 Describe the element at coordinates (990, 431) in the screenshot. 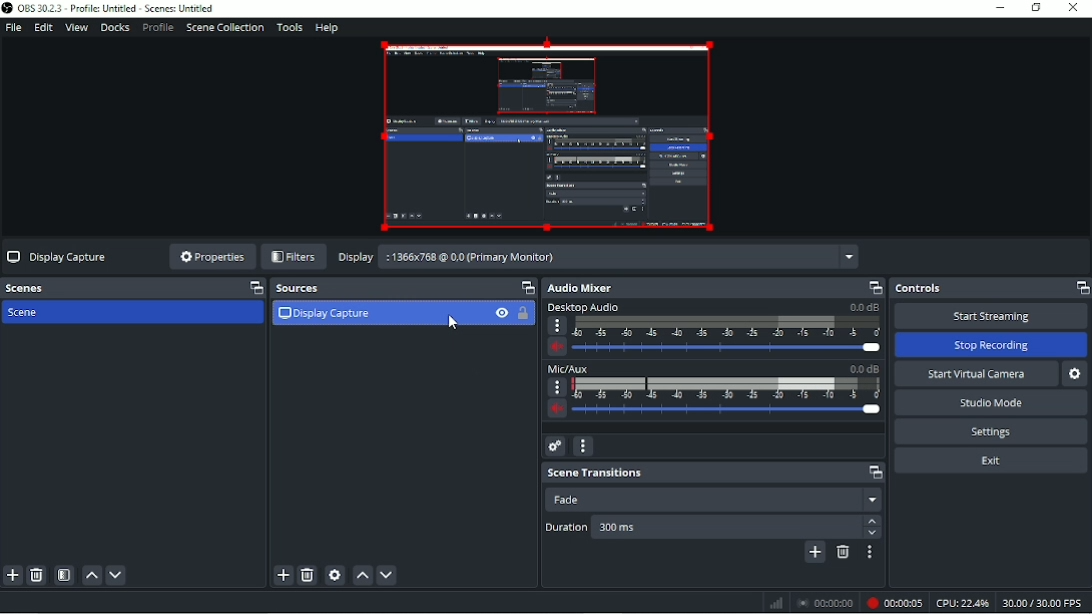

I see `Settings` at that location.